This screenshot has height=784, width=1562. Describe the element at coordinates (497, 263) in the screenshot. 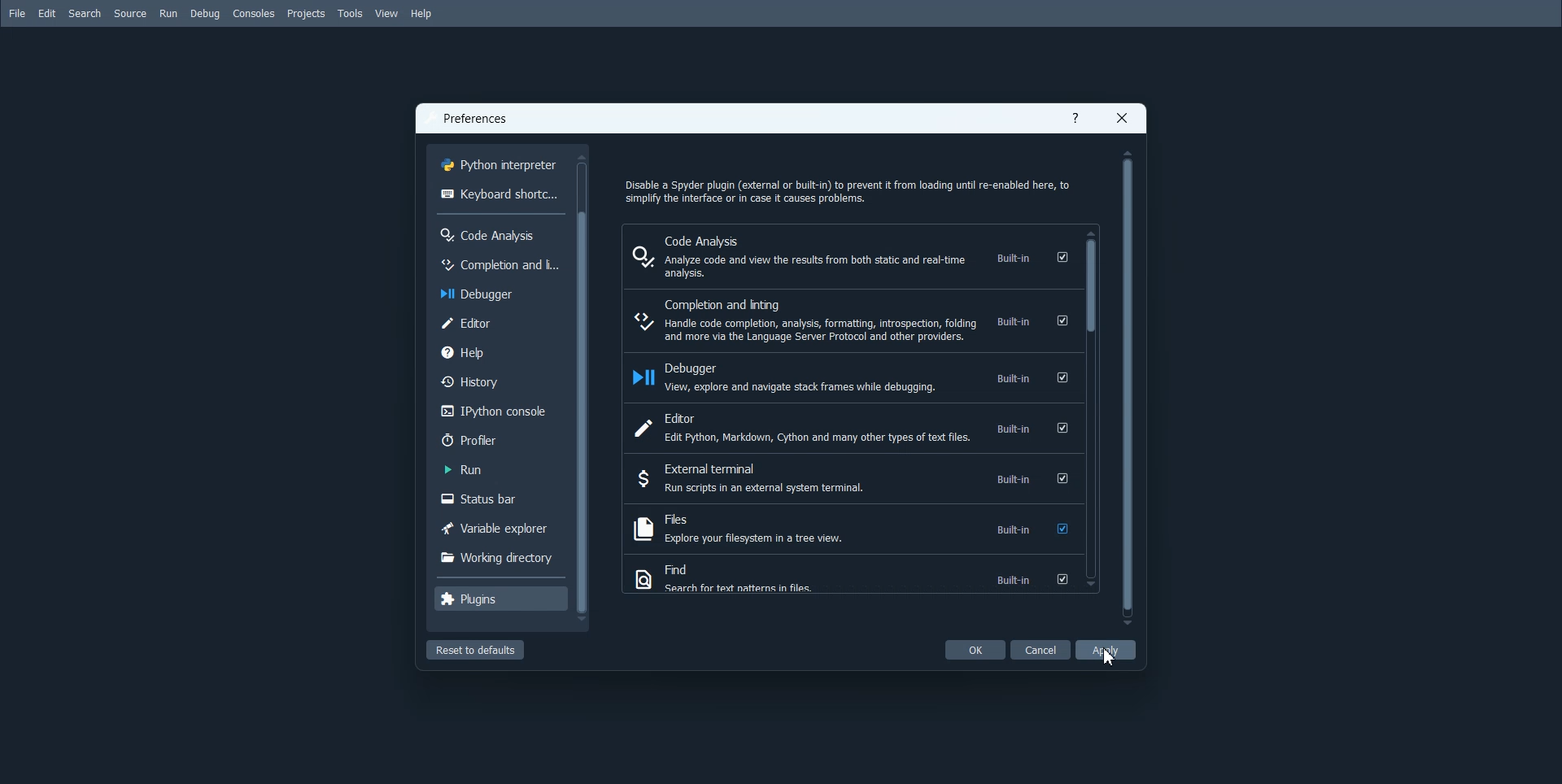

I see `Completion and license` at that location.